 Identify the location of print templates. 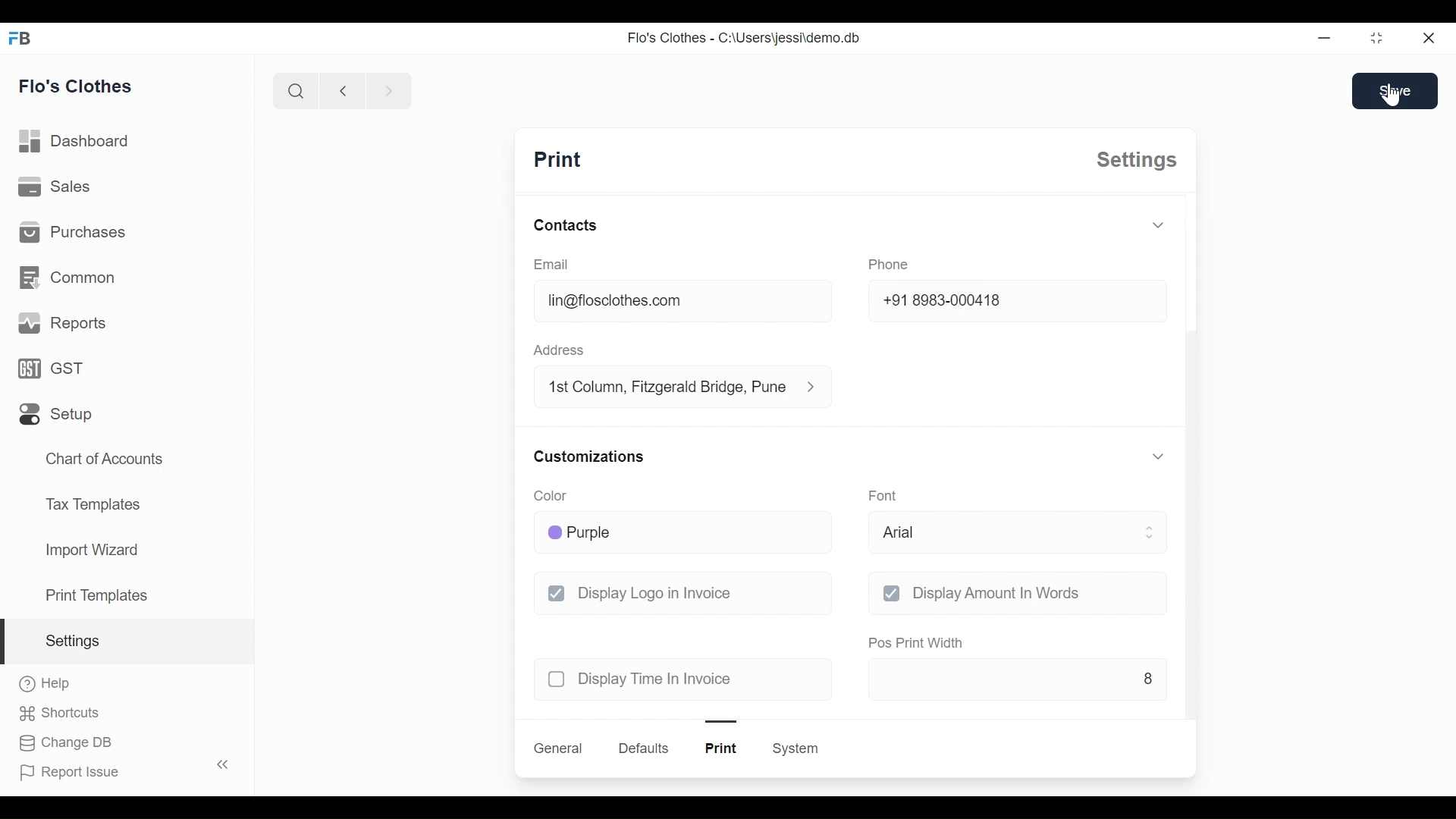
(97, 595).